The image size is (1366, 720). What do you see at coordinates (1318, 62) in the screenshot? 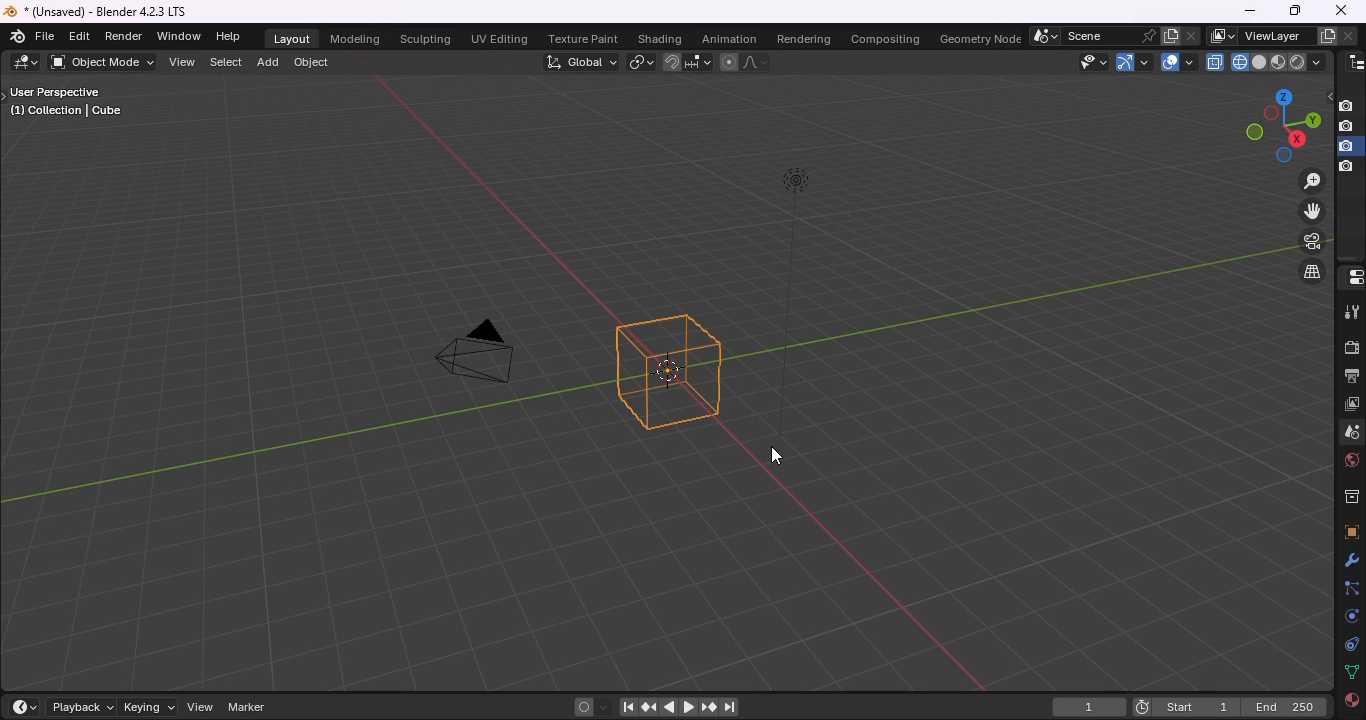
I see `drop down` at bounding box center [1318, 62].